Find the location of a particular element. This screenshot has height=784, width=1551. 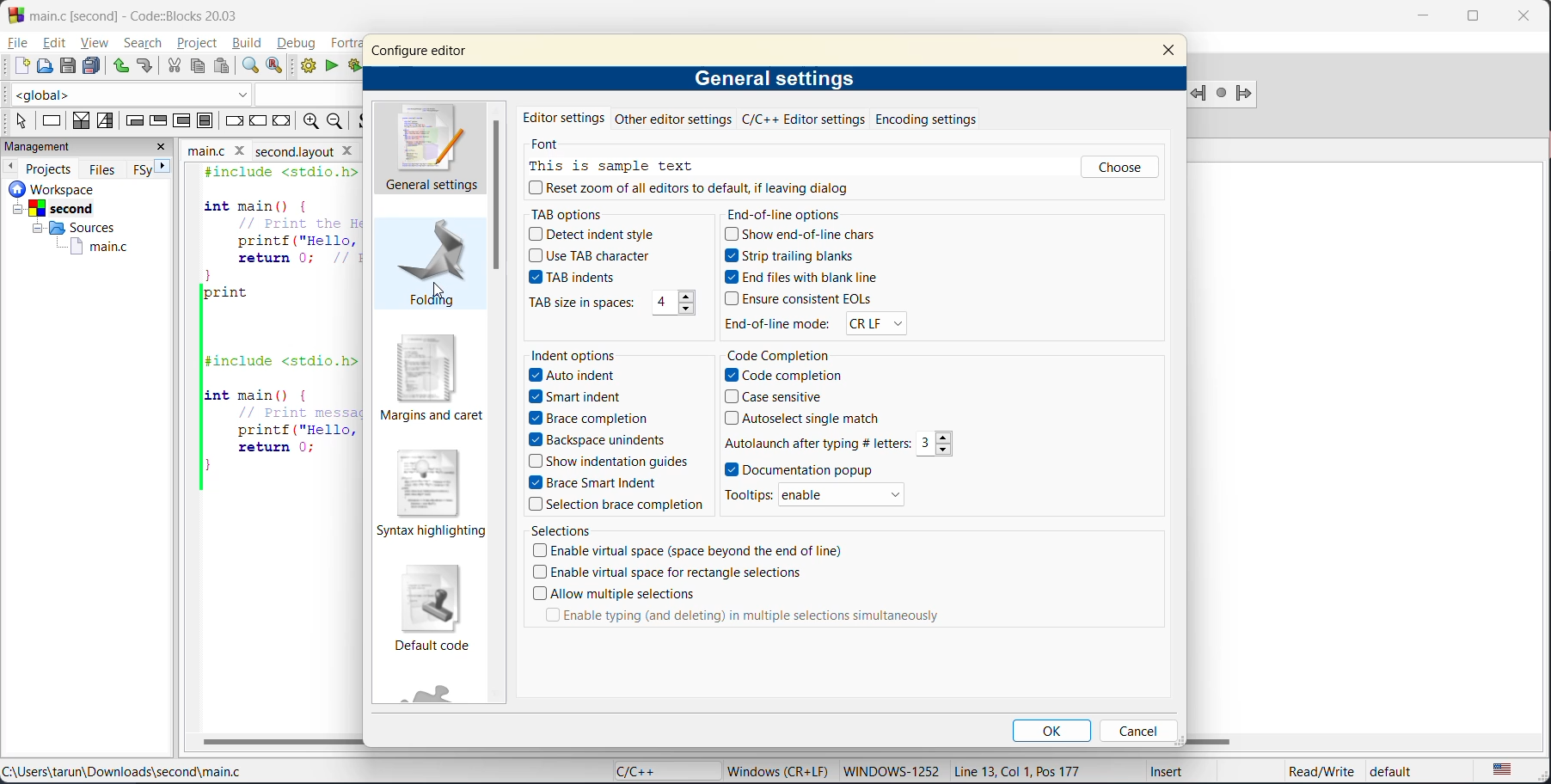

management is located at coordinates (70, 147).